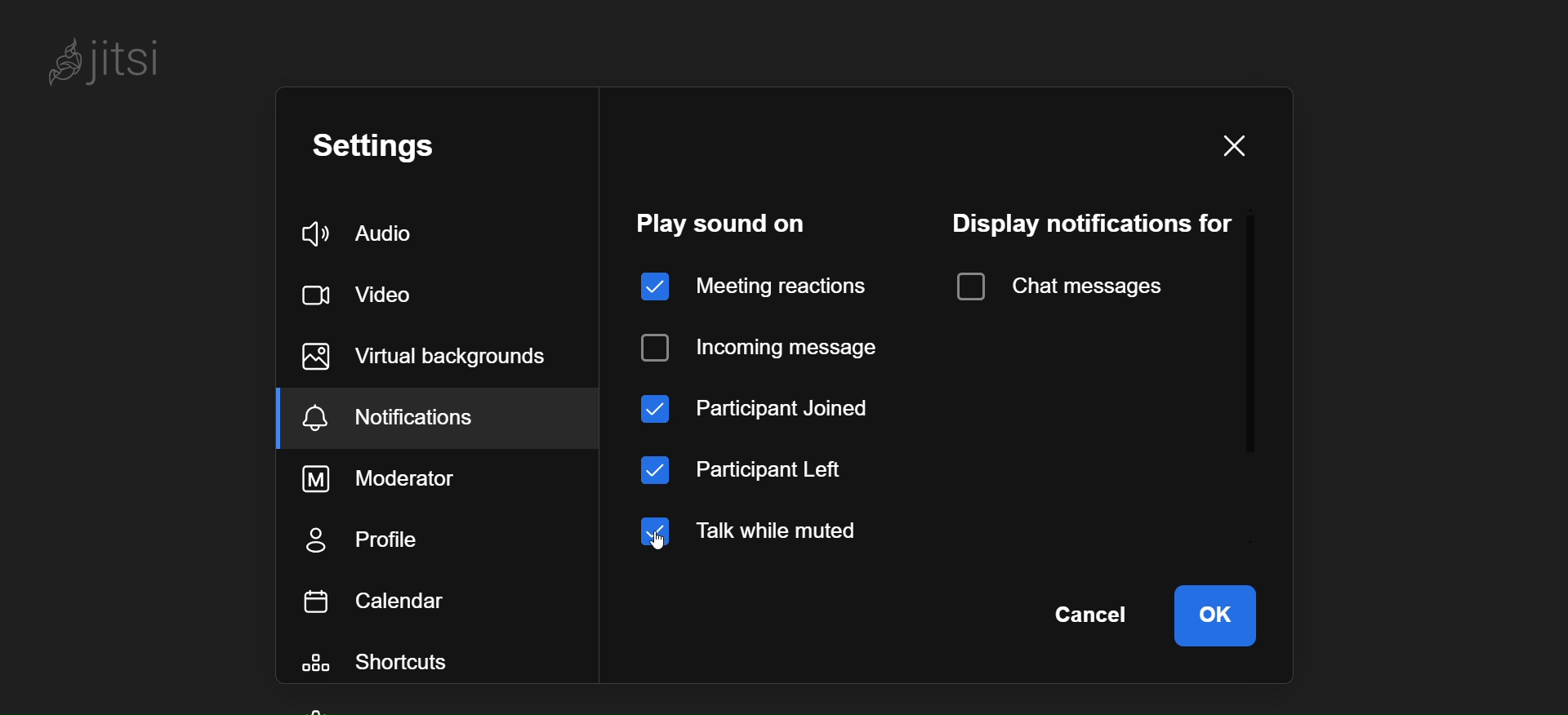  Describe the element at coordinates (1214, 615) in the screenshot. I see `ok` at that location.